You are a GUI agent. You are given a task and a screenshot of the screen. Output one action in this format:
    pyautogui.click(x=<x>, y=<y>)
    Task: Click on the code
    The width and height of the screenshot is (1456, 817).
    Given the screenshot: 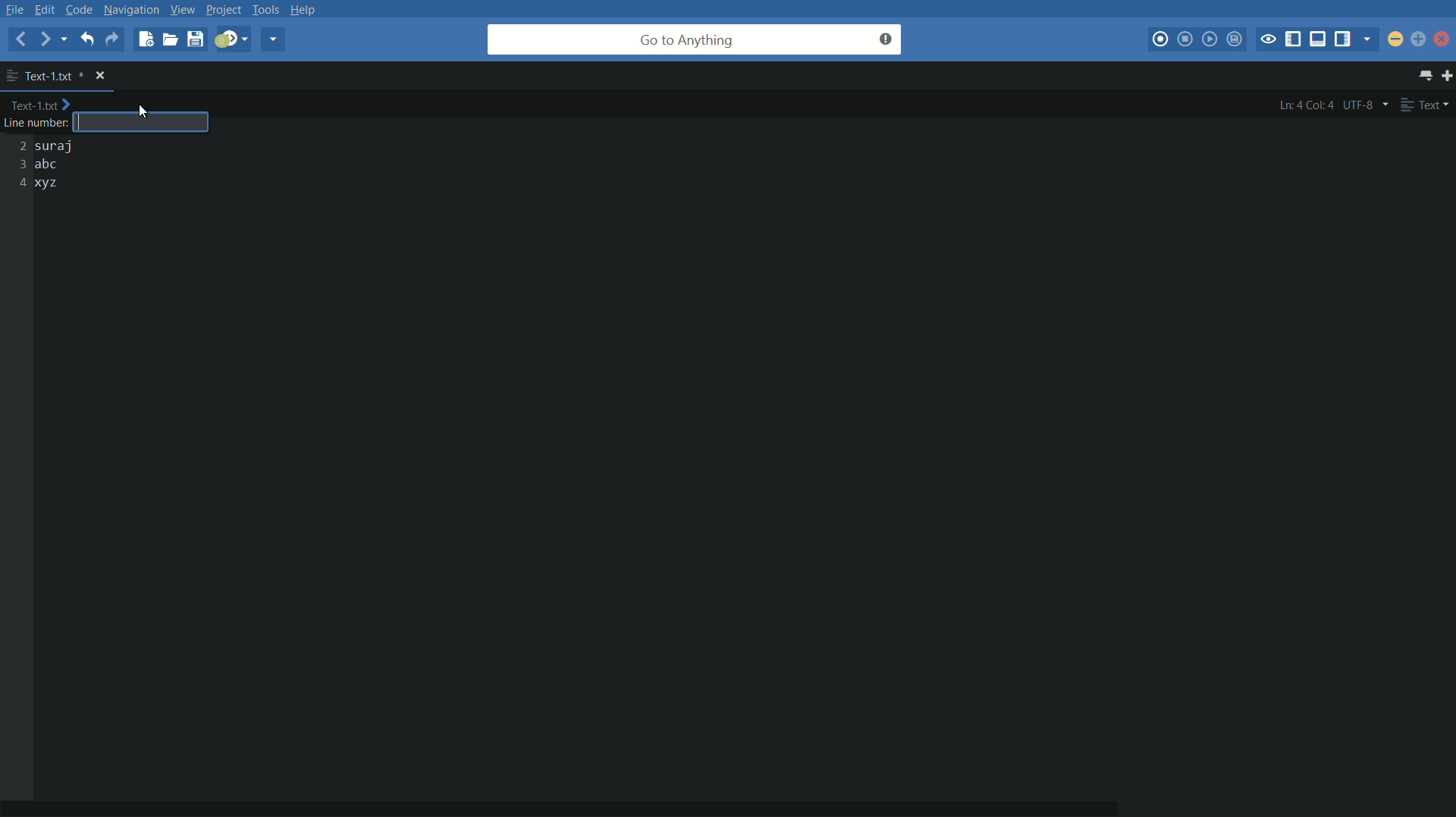 What is the action you would take?
    pyautogui.click(x=80, y=9)
    